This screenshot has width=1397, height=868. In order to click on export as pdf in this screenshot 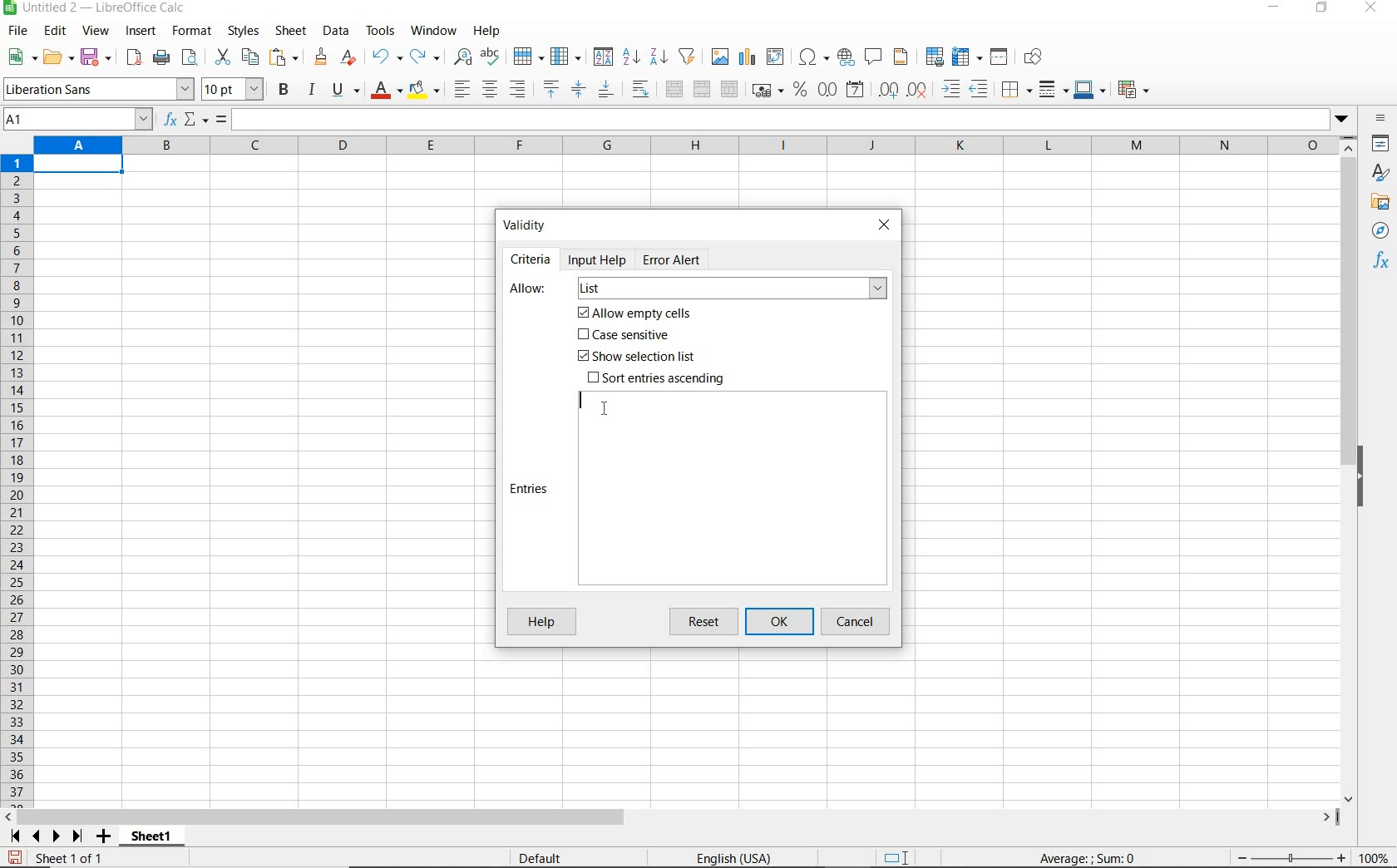, I will do `click(133, 57)`.